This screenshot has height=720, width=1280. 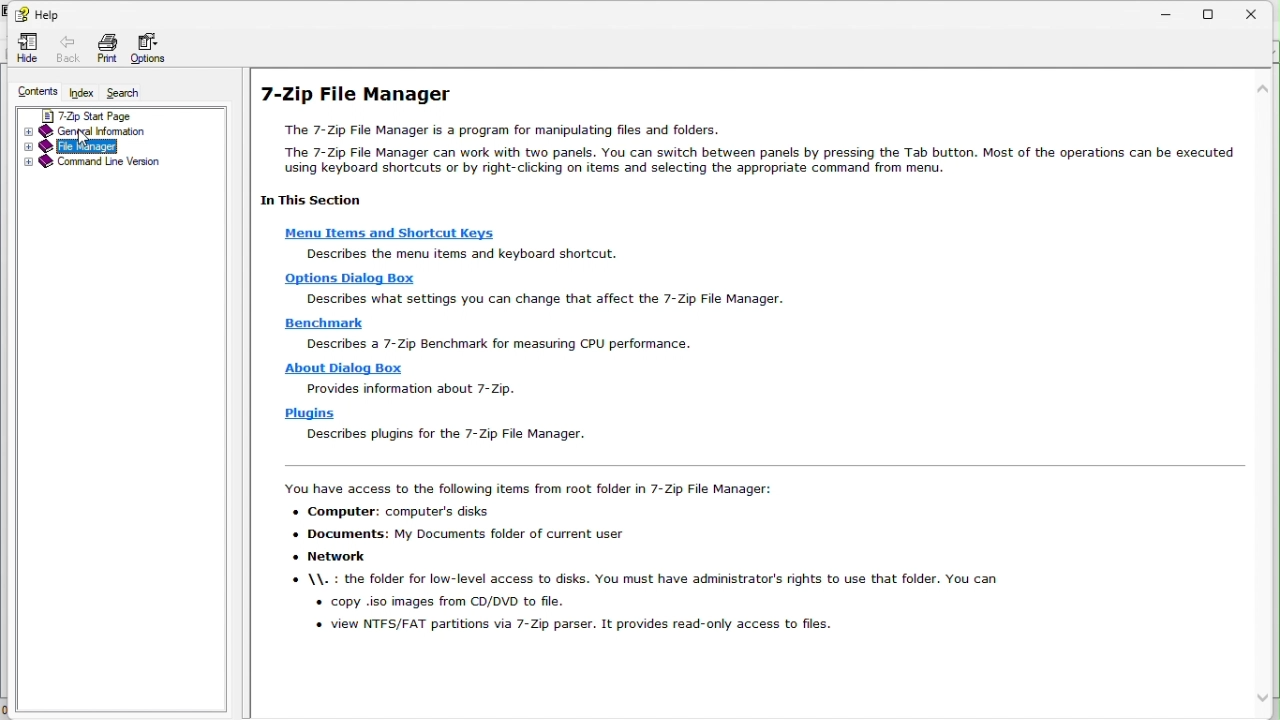 What do you see at coordinates (1219, 13) in the screenshot?
I see `Restore` at bounding box center [1219, 13].